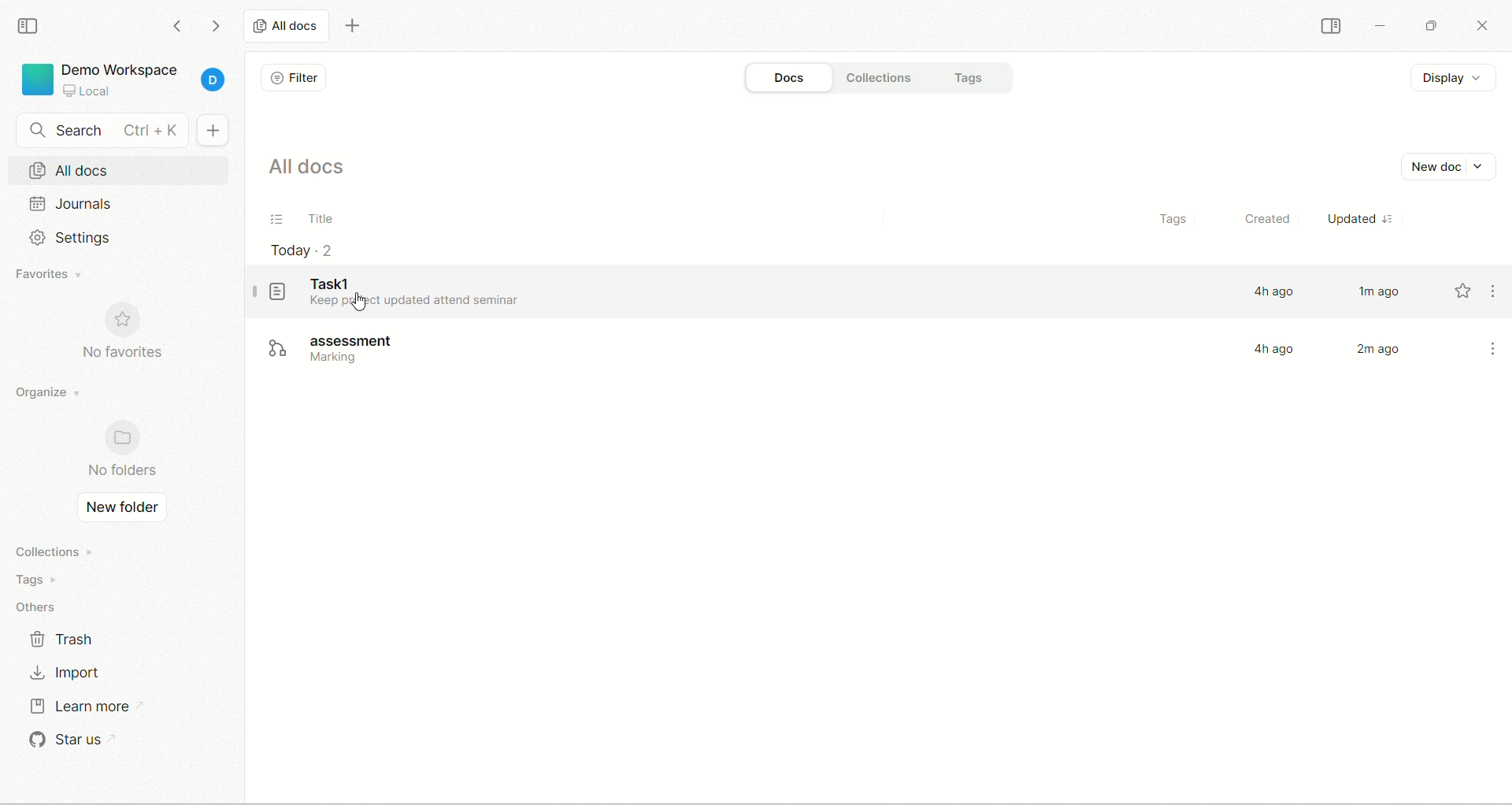  What do you see at coordinates (1265, 220) in the screenshot?
I see `created` at bounding box center [1265, 220].